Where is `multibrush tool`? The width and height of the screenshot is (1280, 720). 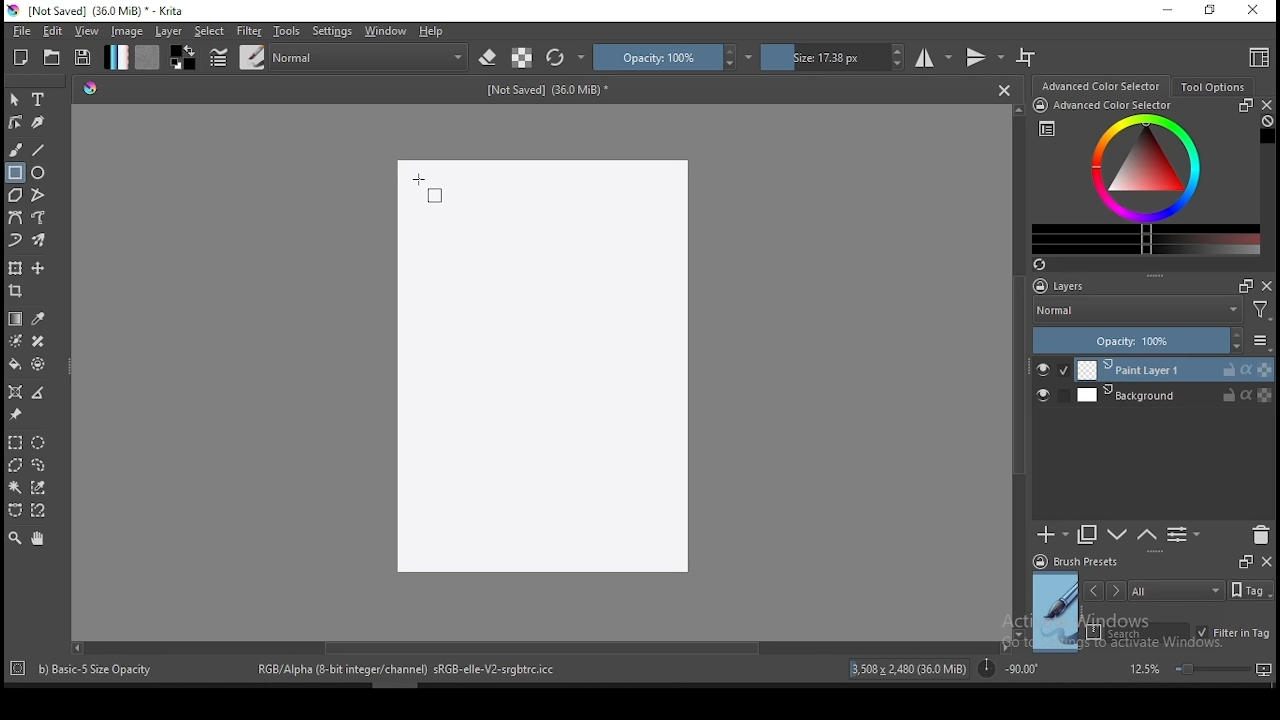 multibrush tool is located at coordinates (40, 242).